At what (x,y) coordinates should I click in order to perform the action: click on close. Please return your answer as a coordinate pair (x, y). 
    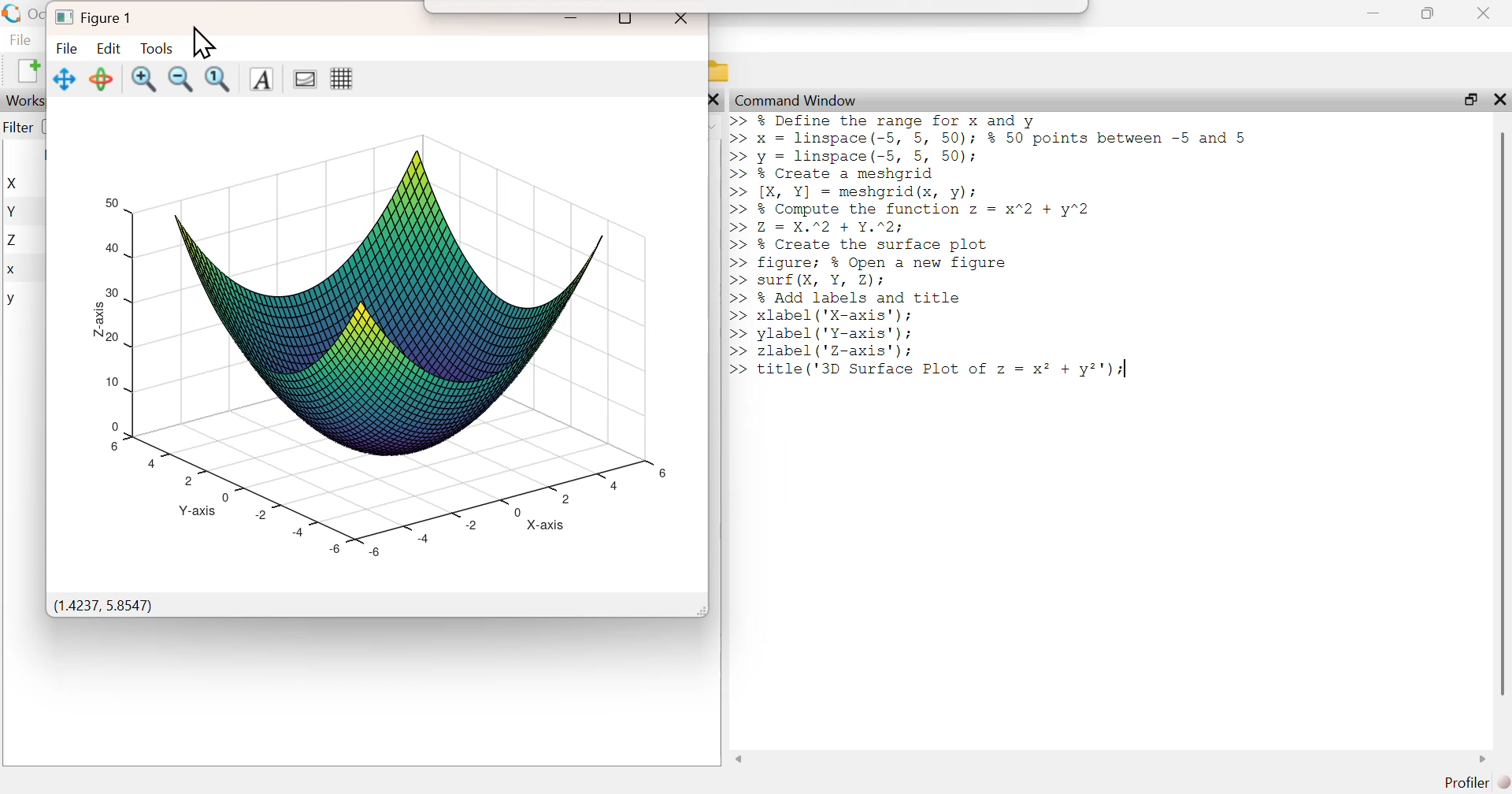
    Looking at the image, I should click on (1486, 13).